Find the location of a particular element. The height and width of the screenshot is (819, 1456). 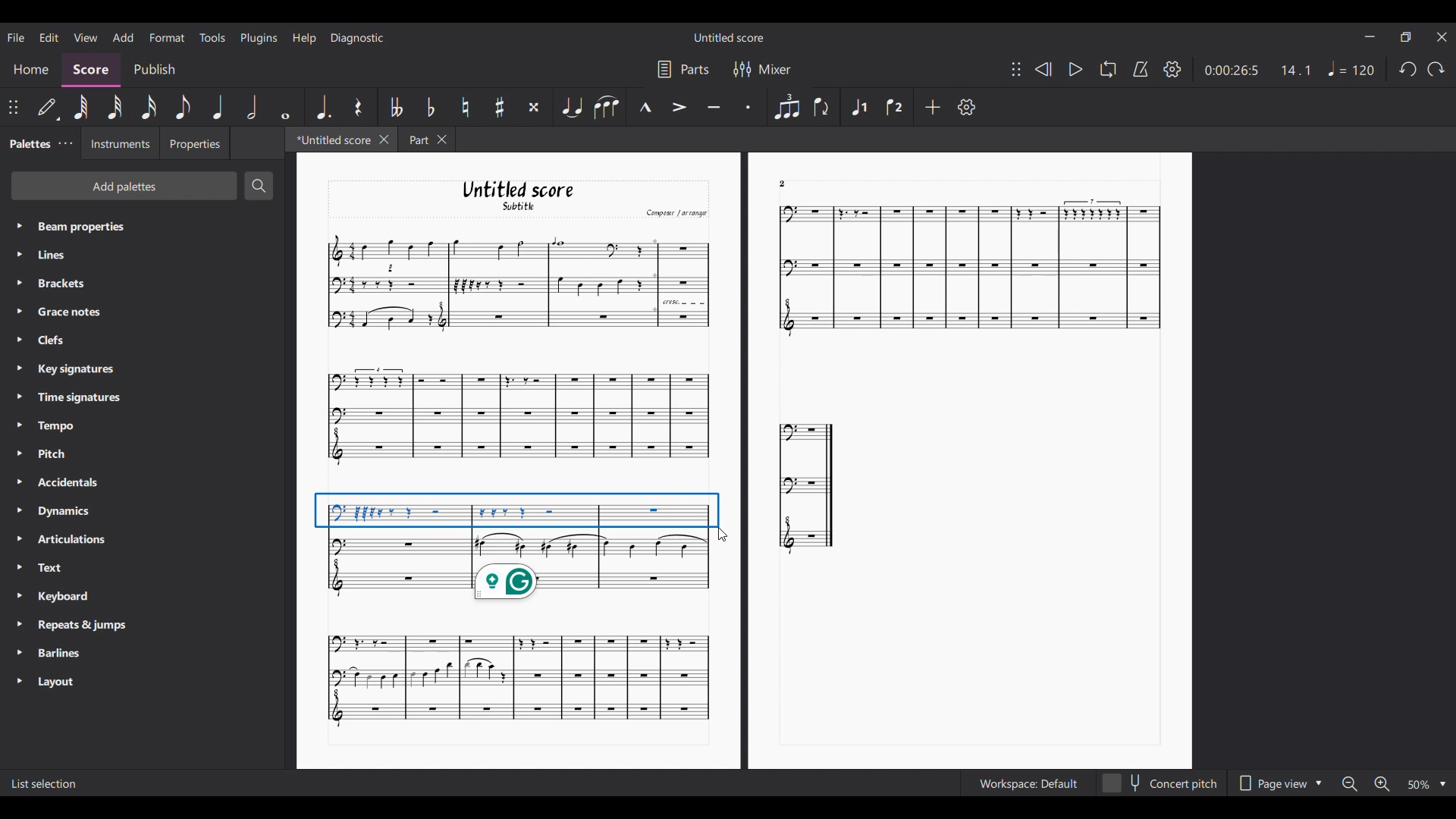

Change position is located at coordinates (14, 108).